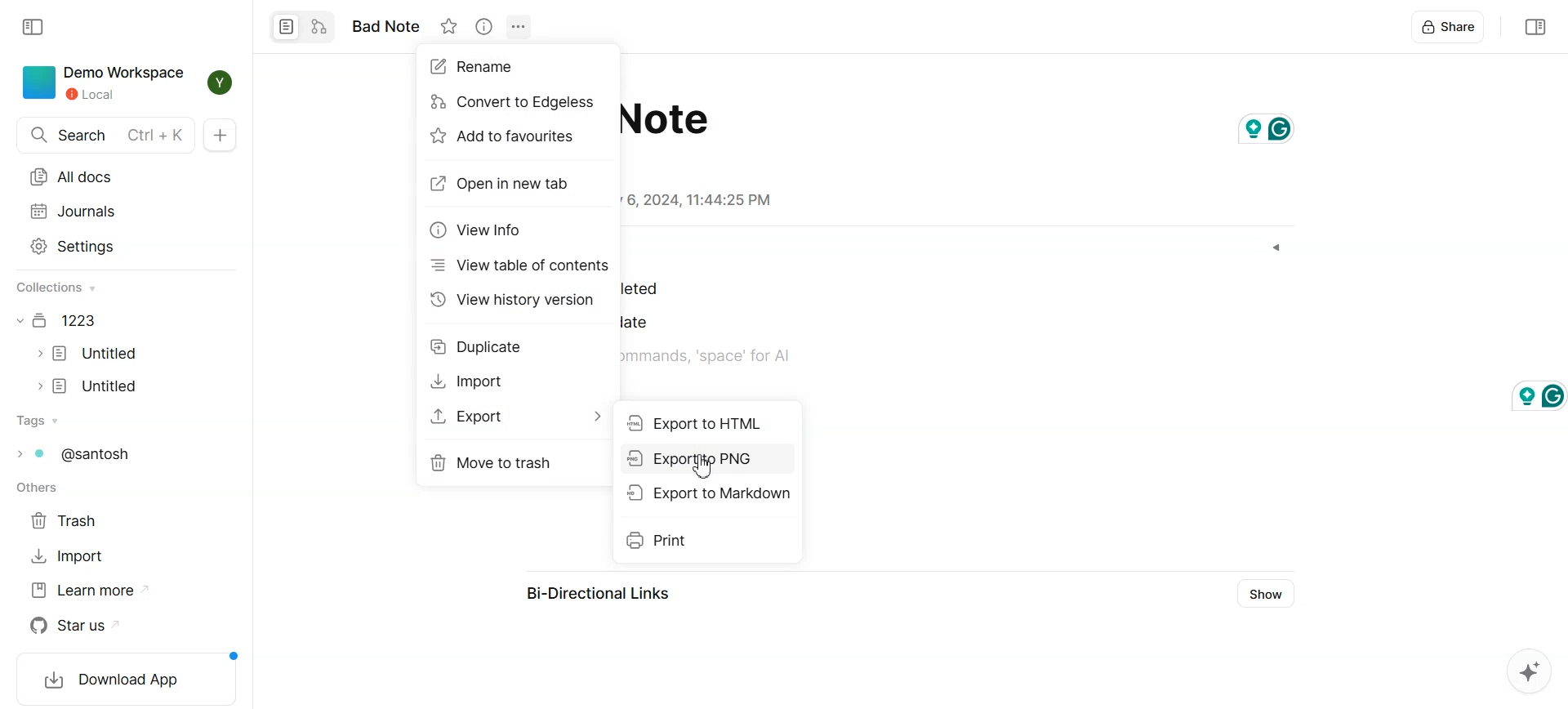  Describe the element at coordinates (59, 320) in the screenshot. I see `Document` at that location.